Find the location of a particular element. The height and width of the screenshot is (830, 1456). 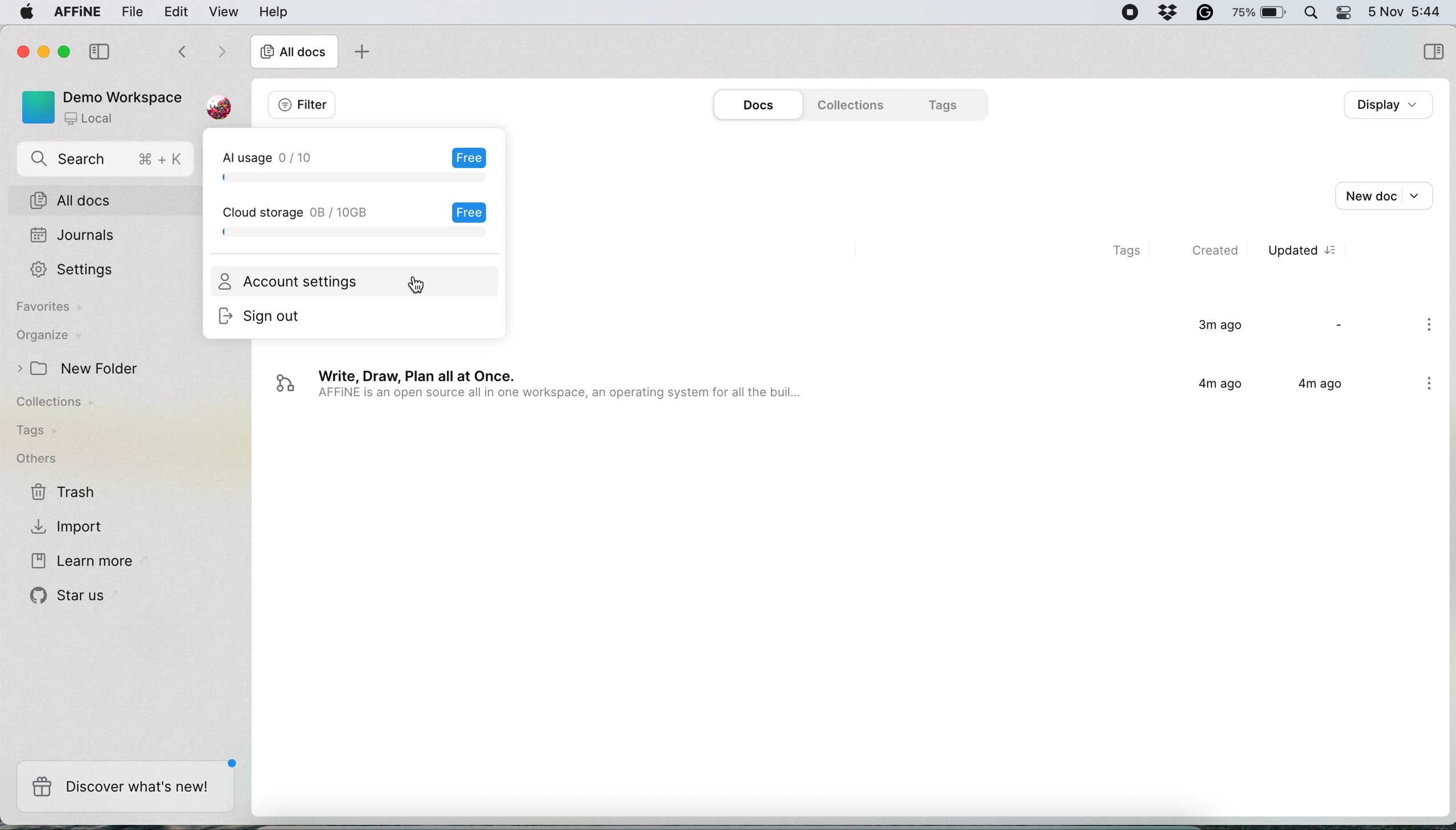

collections is located at coordinates (64, 404).